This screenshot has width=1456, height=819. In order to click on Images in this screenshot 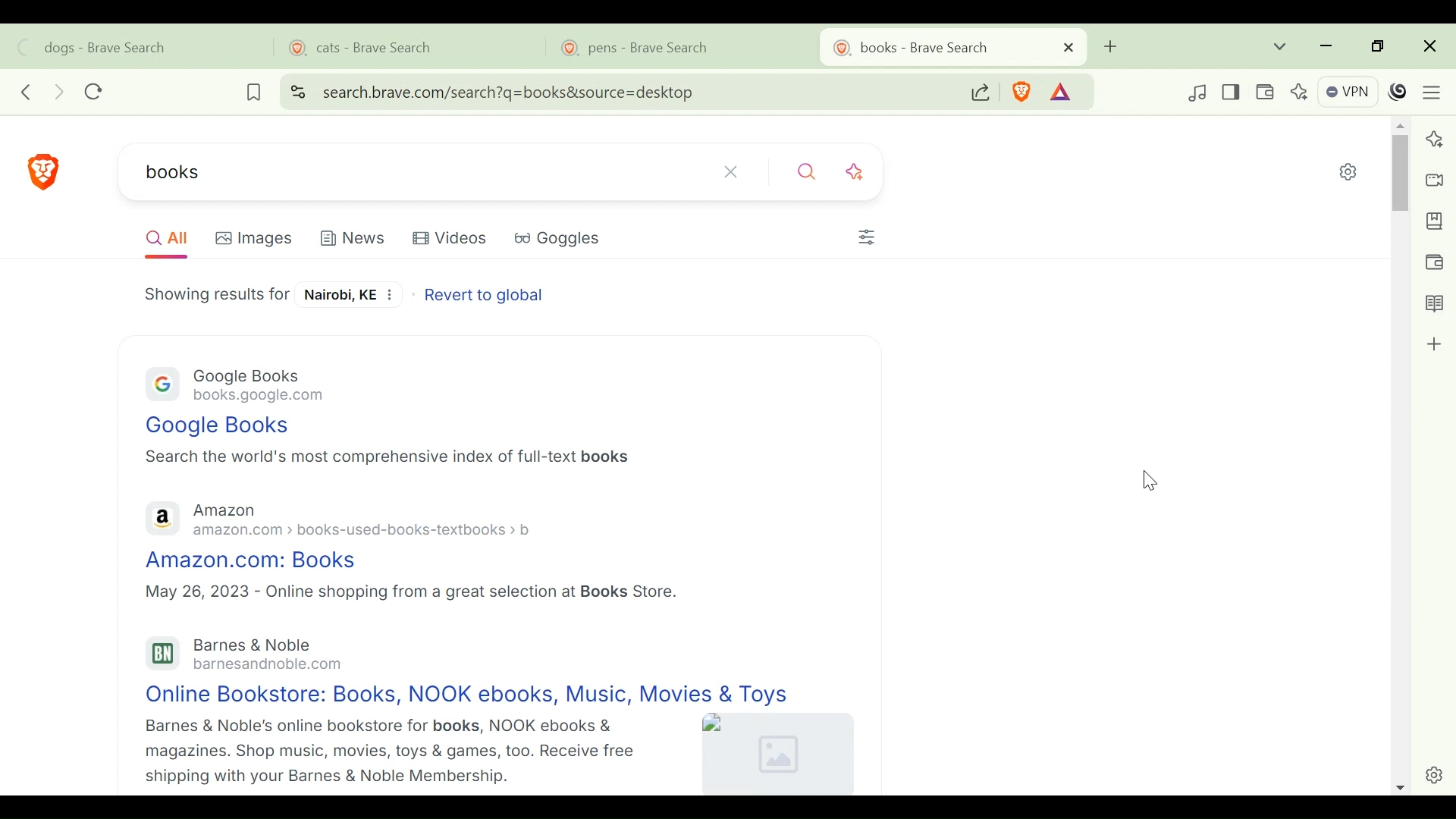, I will do `click(253, 238)`.